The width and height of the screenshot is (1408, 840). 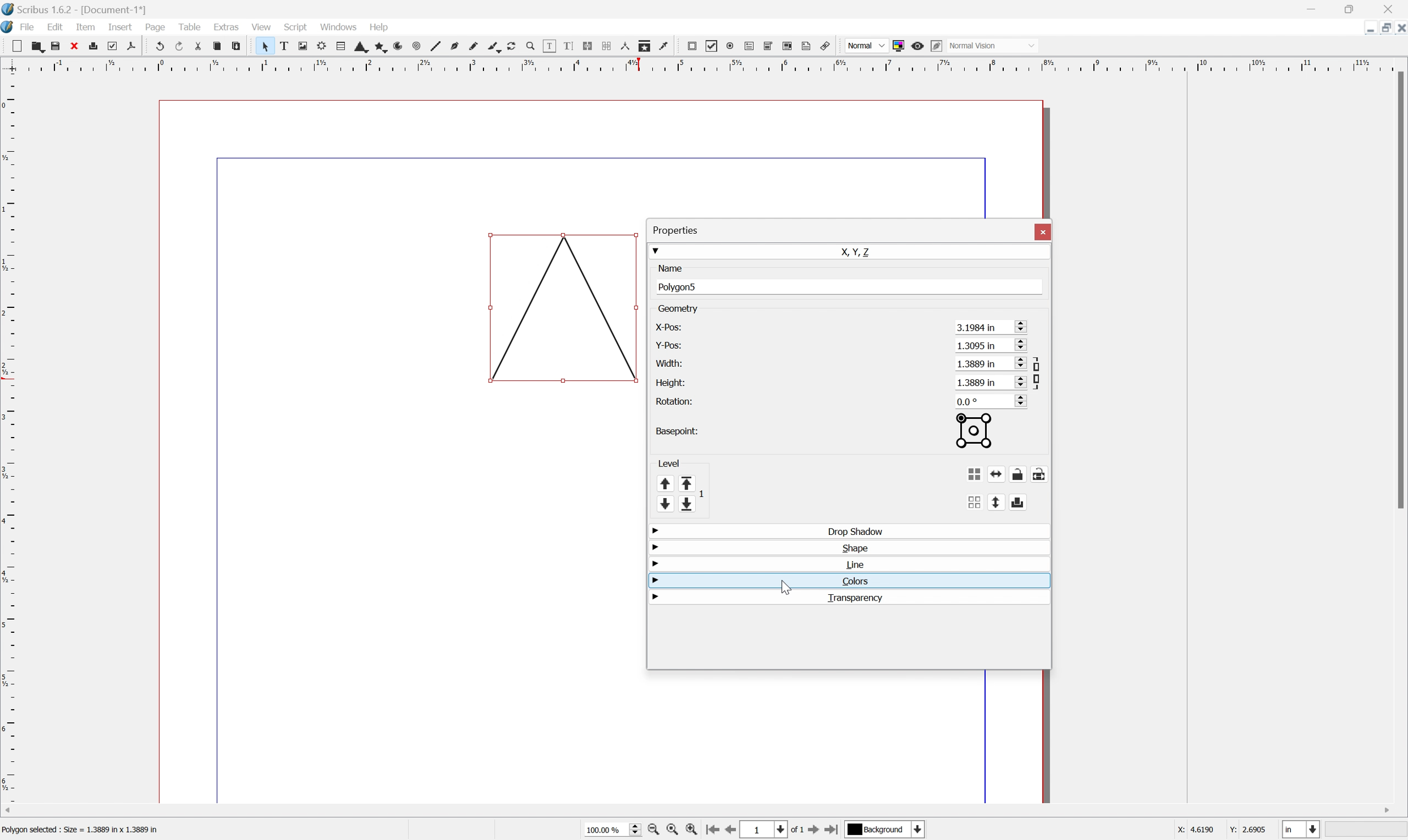 I want to click on Line, so click(x=854, y=564).